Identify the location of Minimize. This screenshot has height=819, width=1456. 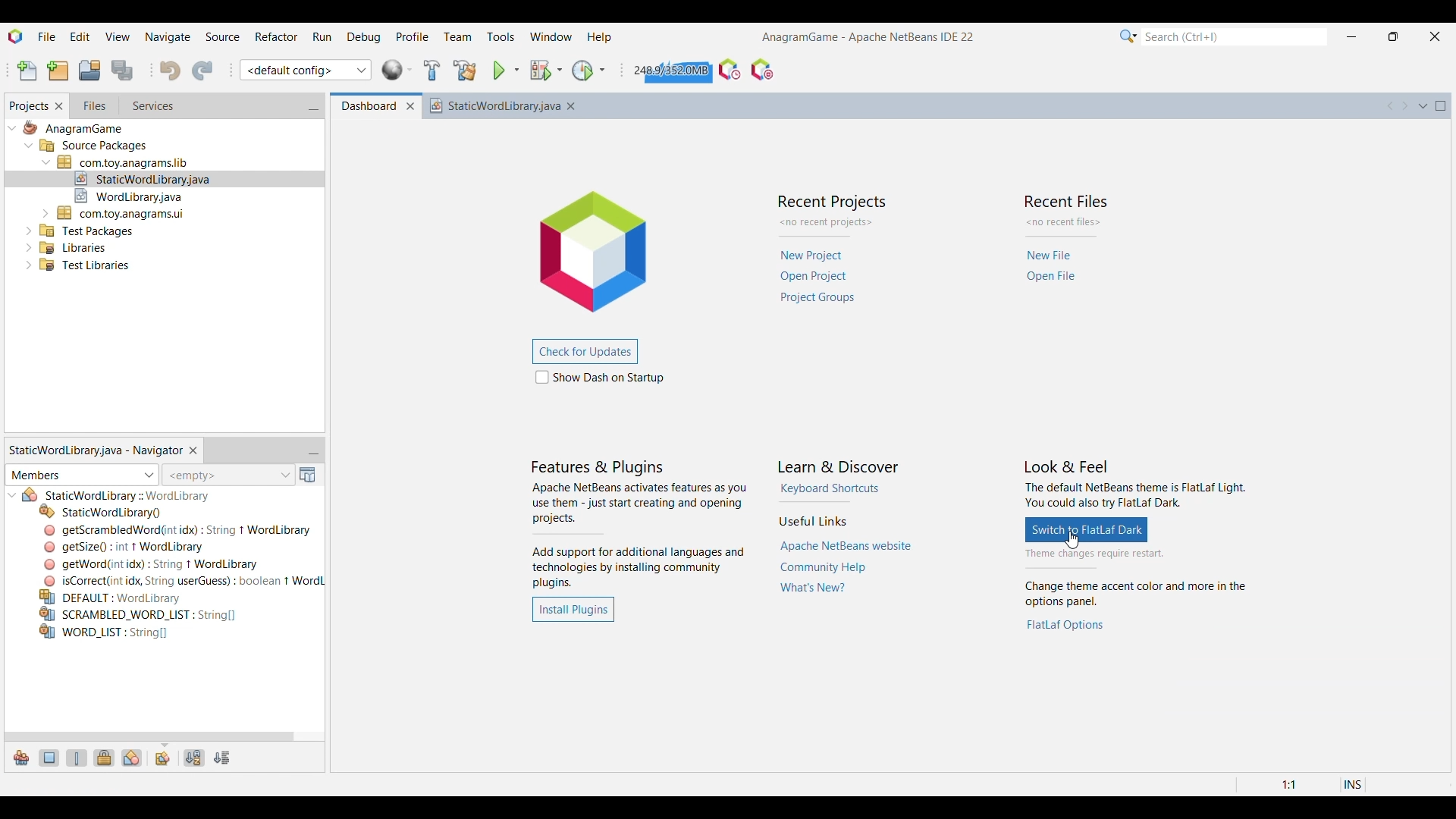
(1351, 37).